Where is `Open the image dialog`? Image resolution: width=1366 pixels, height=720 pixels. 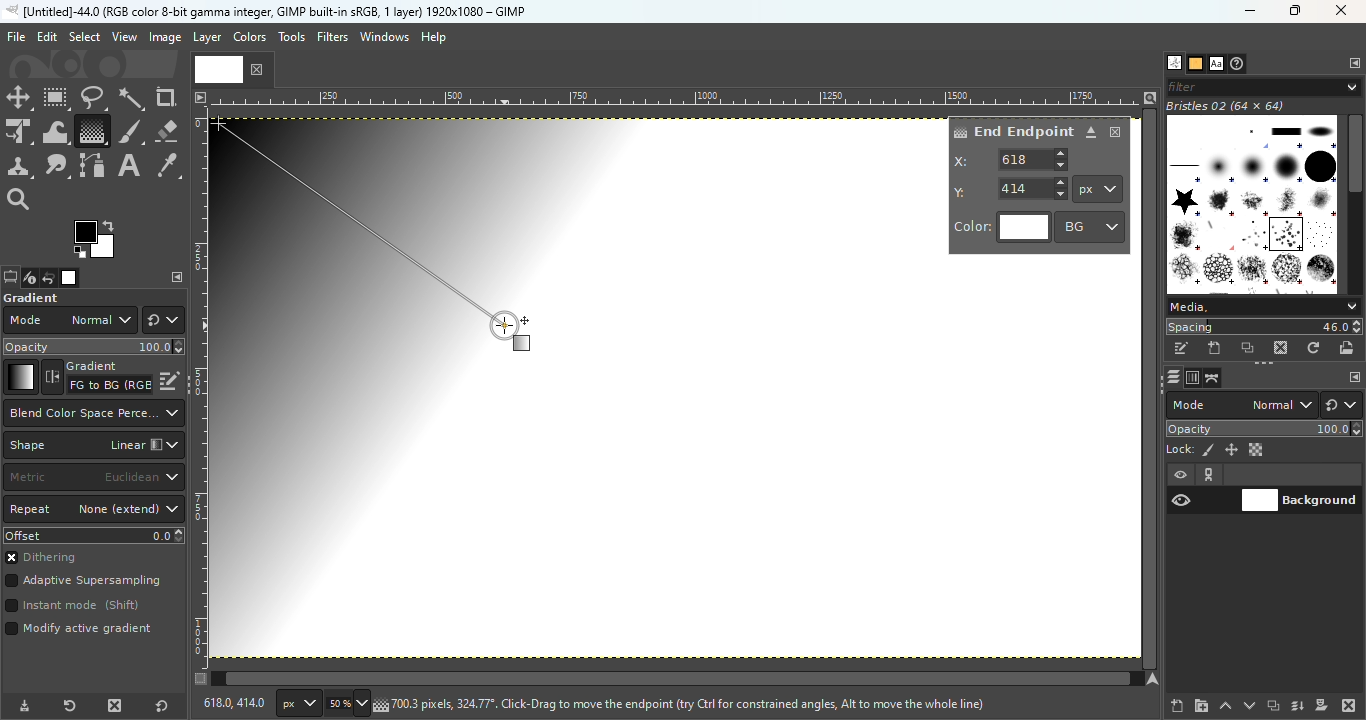
Open the image dialog is located at coordinates (67, 278).